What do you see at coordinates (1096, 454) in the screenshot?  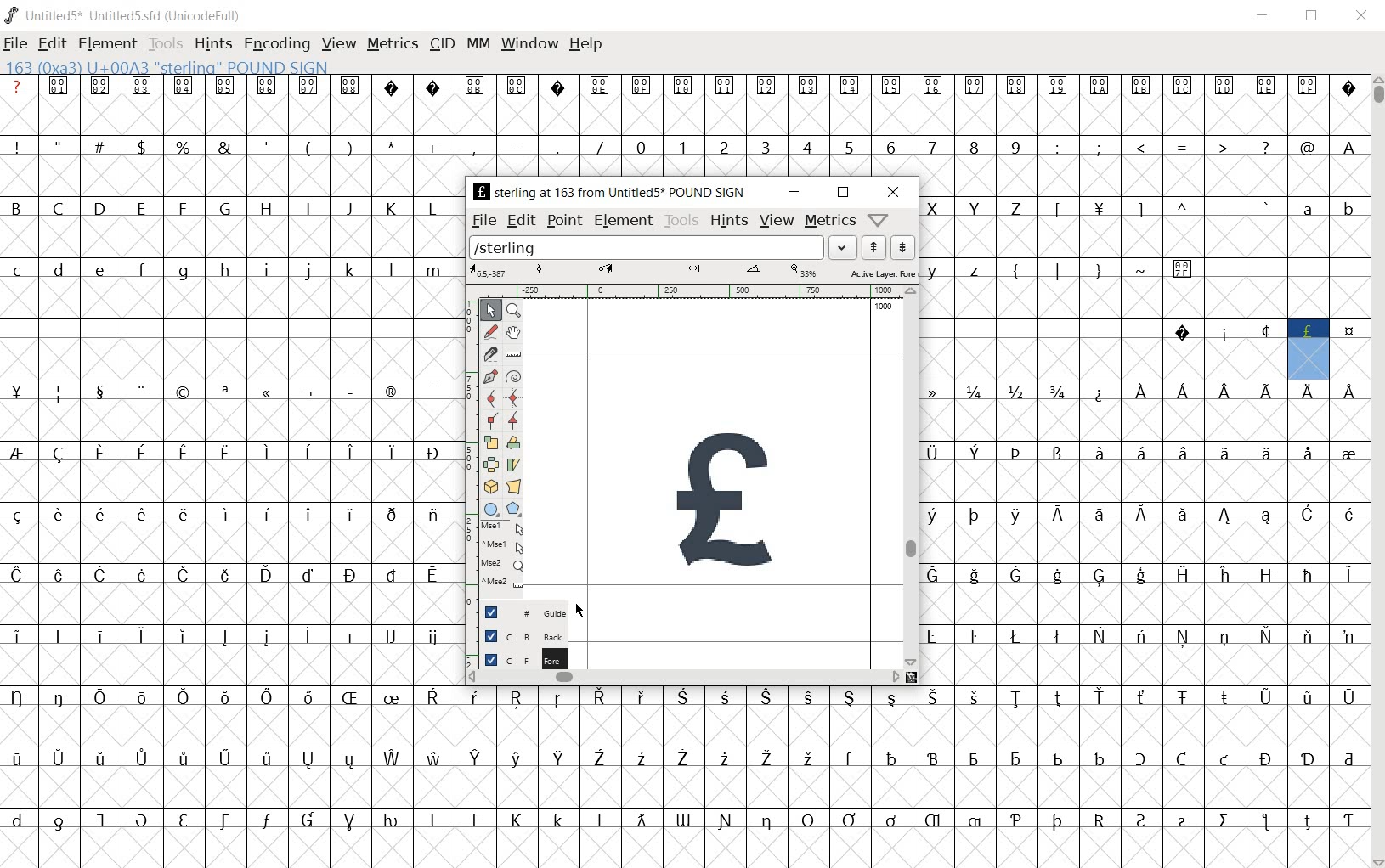 I see `Symbol` at bounding box center [1096, 454].